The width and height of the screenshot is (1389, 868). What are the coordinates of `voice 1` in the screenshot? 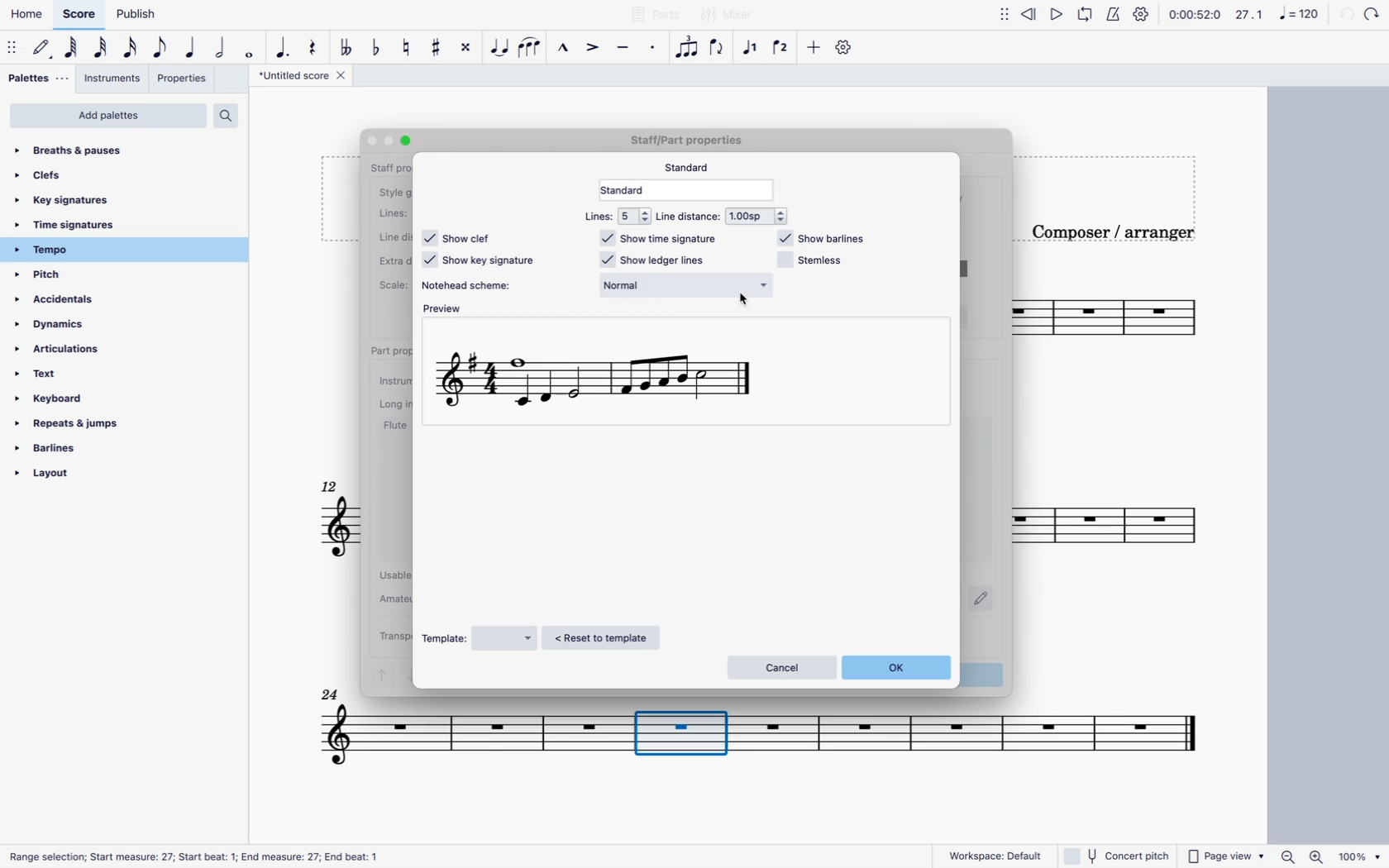 It's located at (752, 46).